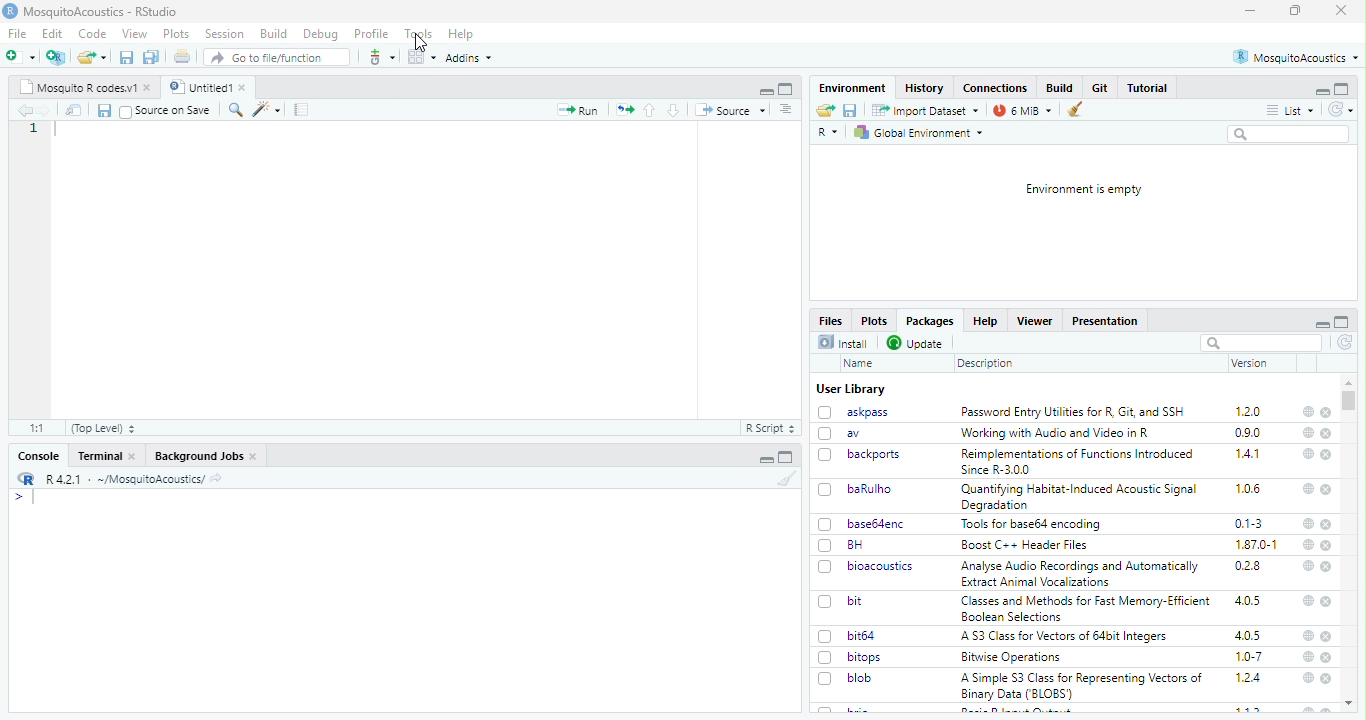 The image size is (1366, 720). What do you see at coordinates (825, 679) in the screenshot?
I see `checkbox` at bounding box center [825, 679].